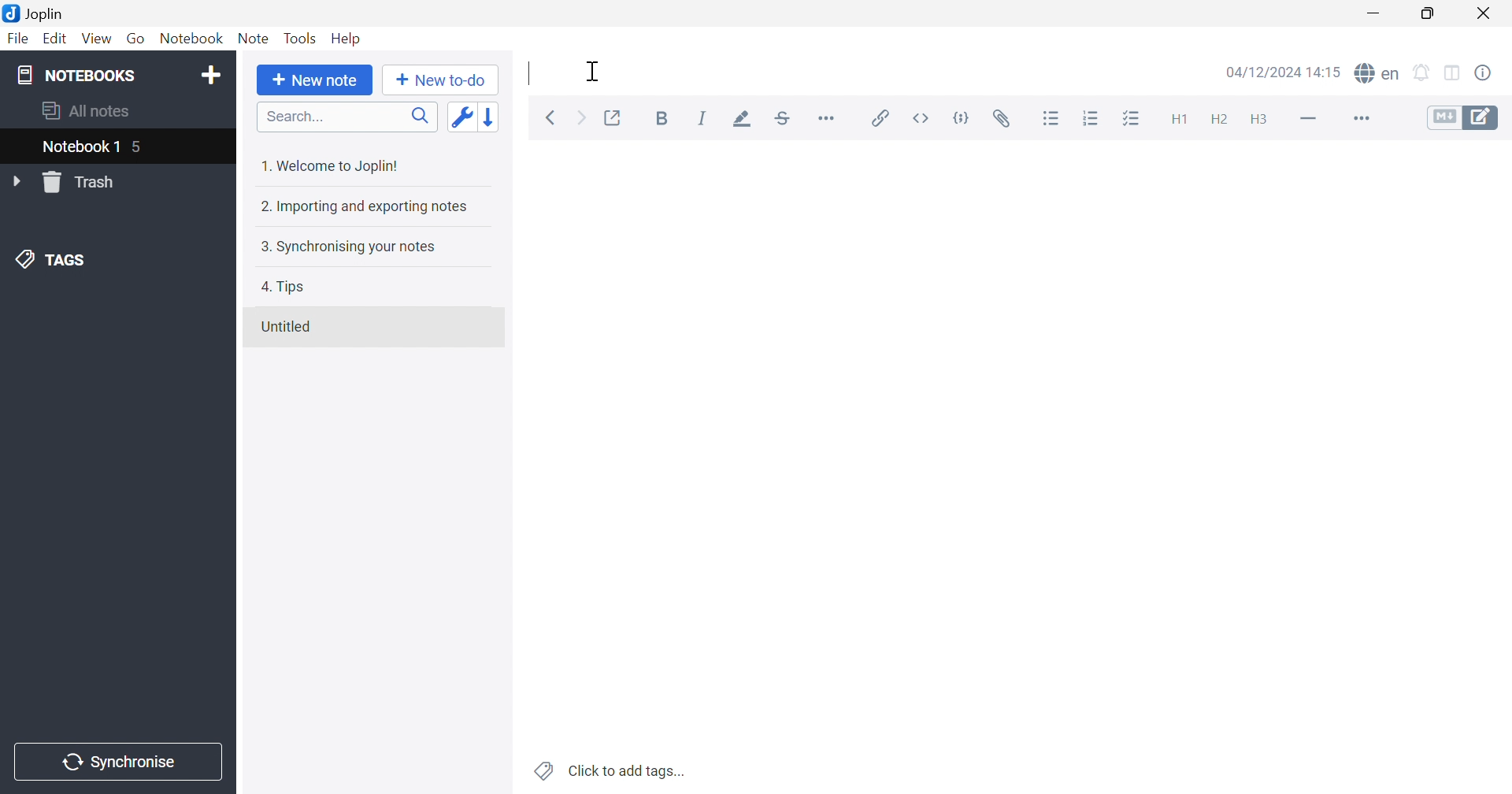  Describe the element at coordinates (1329, 72) in the screenshot. I see `14:15` at that location.